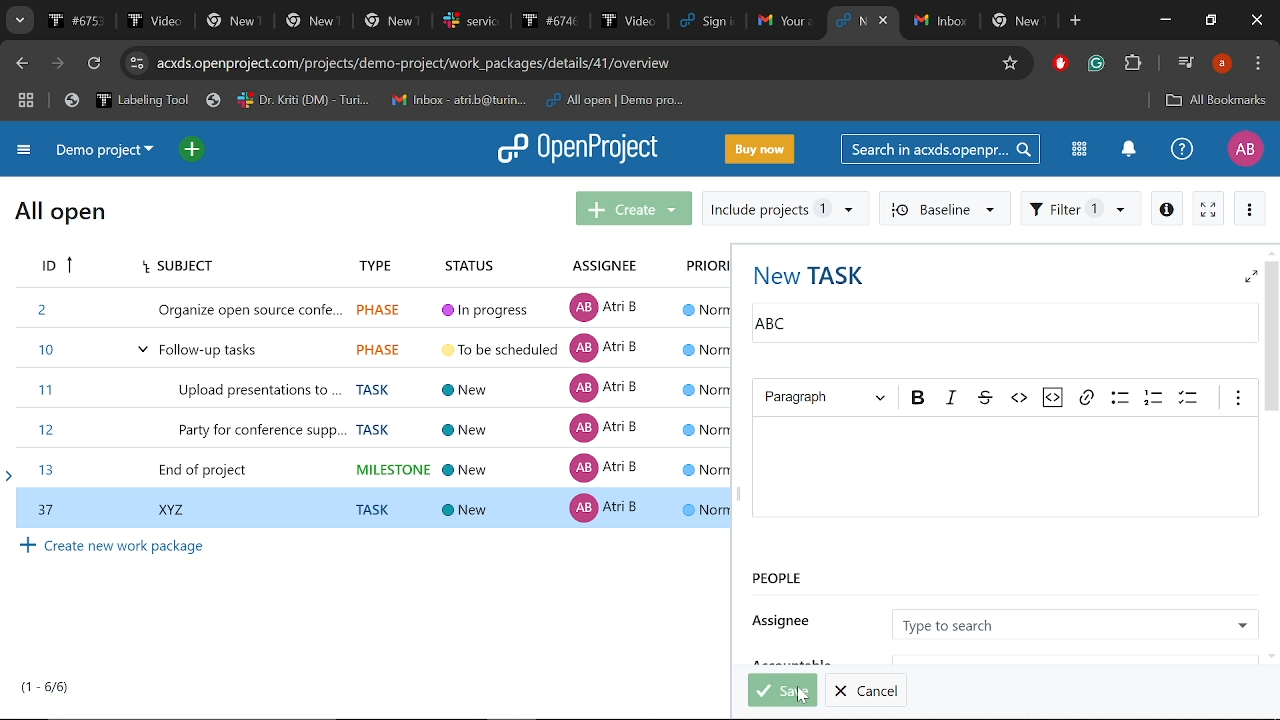 Image resolution: width=1280 pixels, height=720 pixels. I want to click on Create, so click(634, 207).